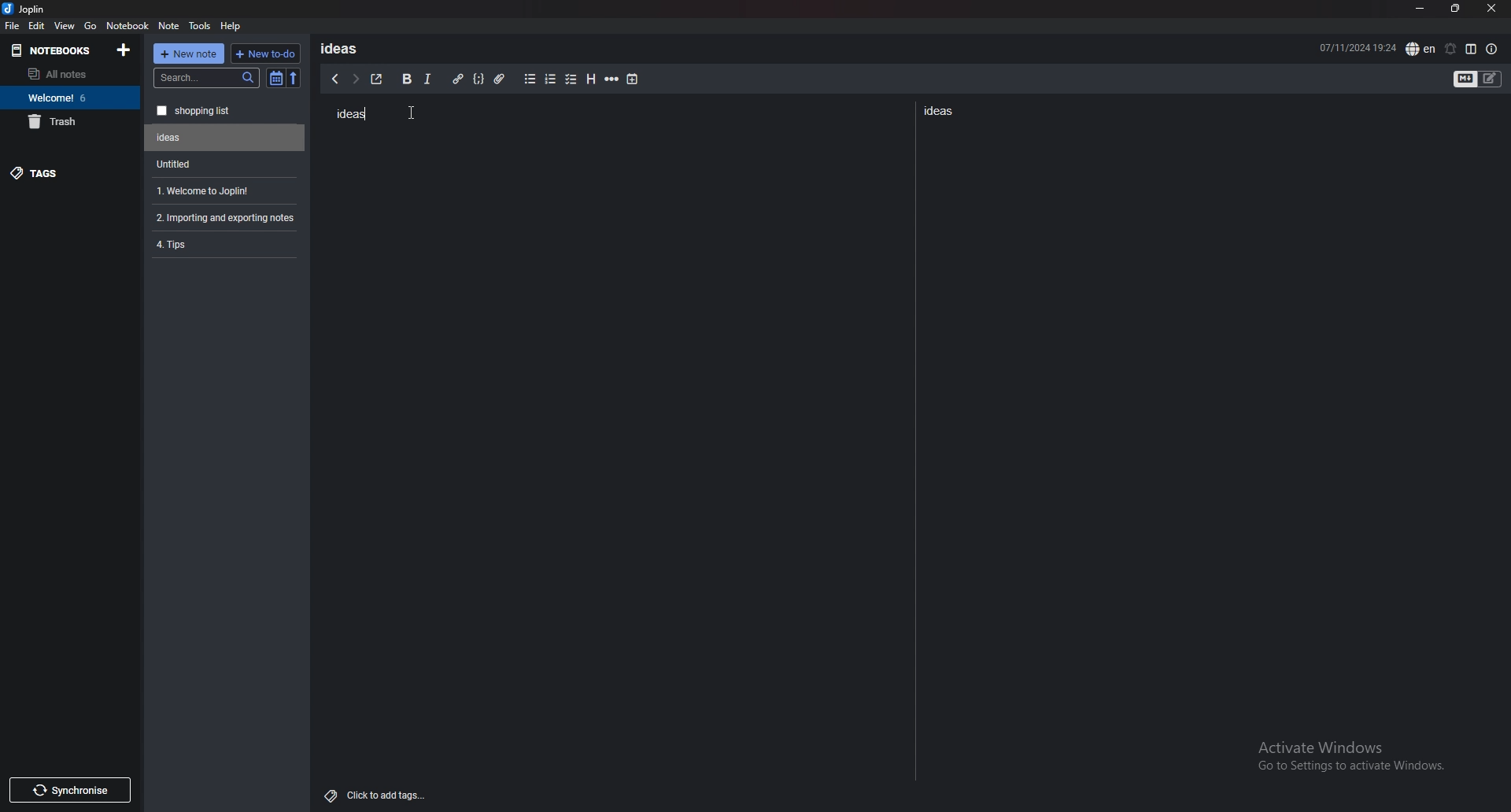  What do you see at coordinates (549, 79) in the screenshot?
I see `numbered list` at bounding box center [549, 79].